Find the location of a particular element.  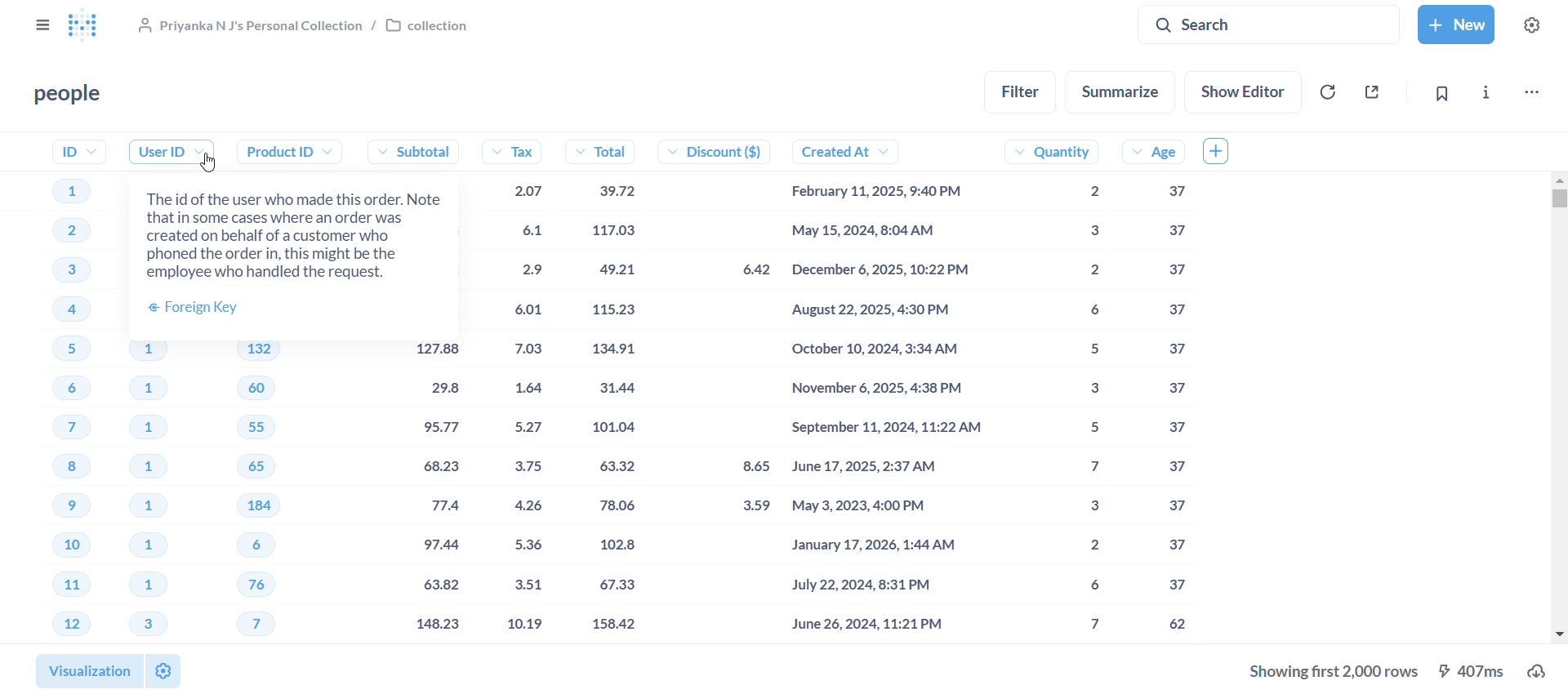

created at is located at coordinates (898, 389).